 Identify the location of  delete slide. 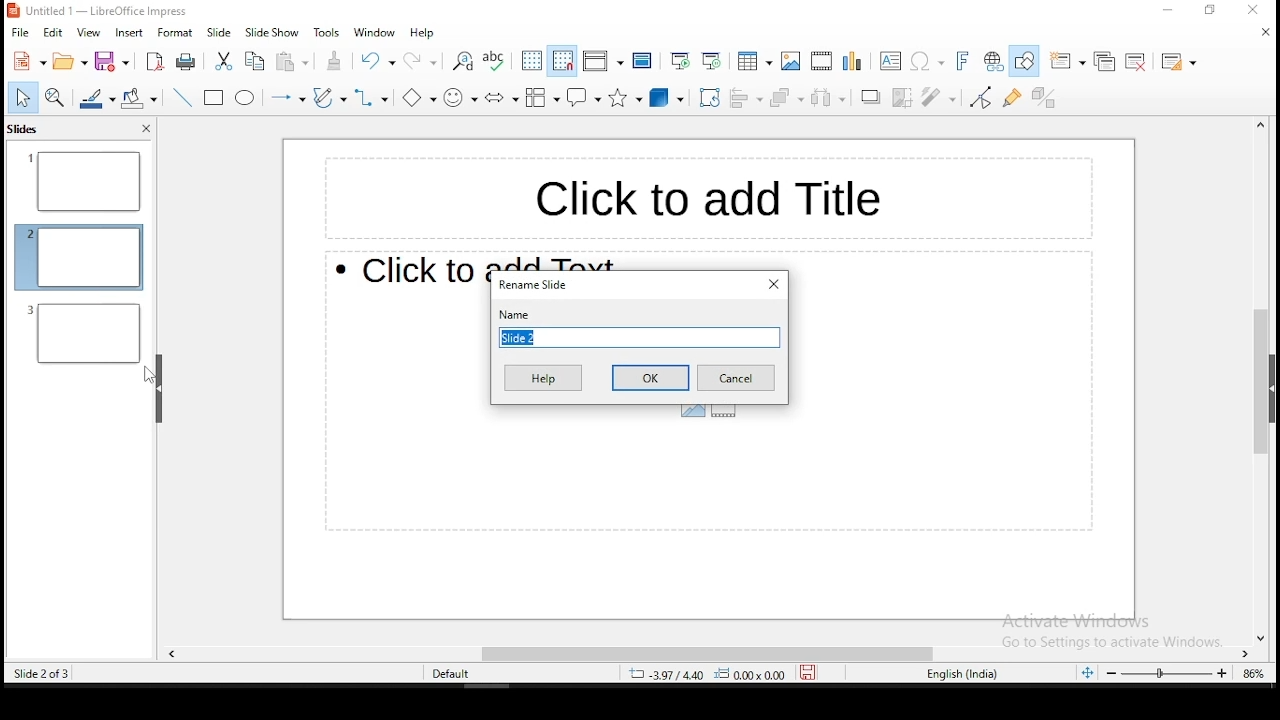
(1136, 61).